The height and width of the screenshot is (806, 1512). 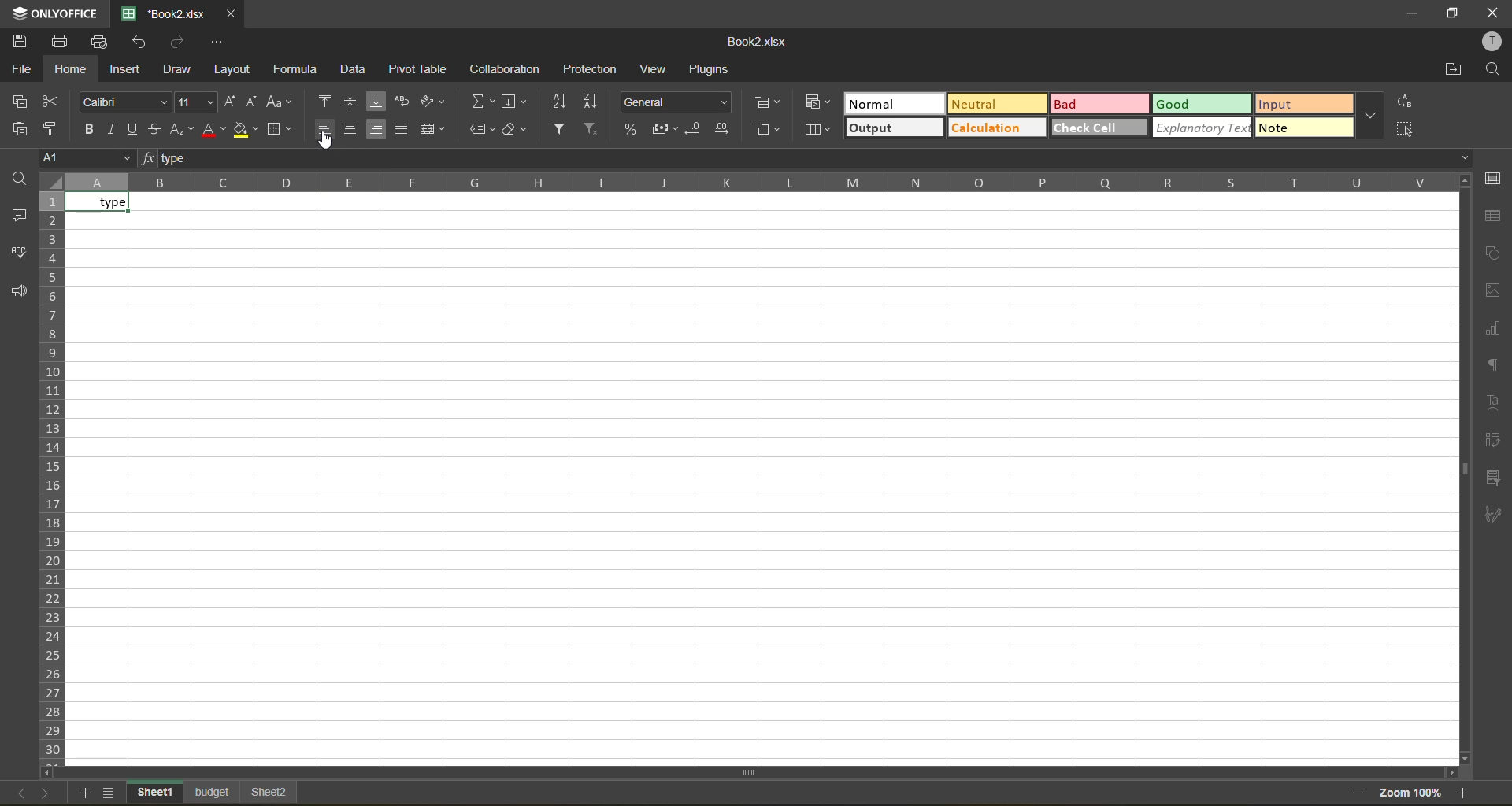 What do you see at coordinates (431, 102) in the screenshot?
I see `orientation` at bounding box center [431, 102].